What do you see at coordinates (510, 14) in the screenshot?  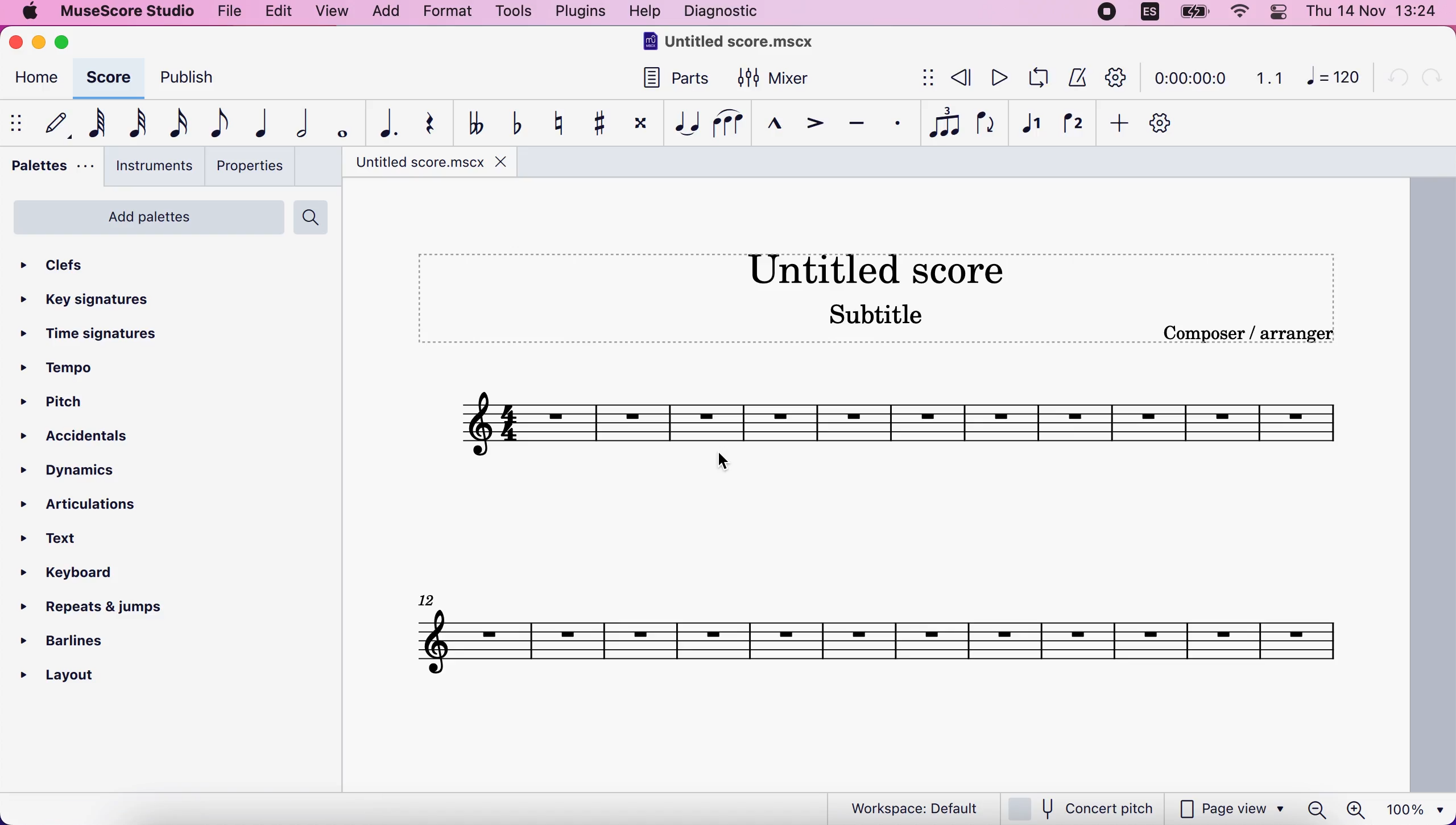 I see `tools` at bounding box center [510, 14].